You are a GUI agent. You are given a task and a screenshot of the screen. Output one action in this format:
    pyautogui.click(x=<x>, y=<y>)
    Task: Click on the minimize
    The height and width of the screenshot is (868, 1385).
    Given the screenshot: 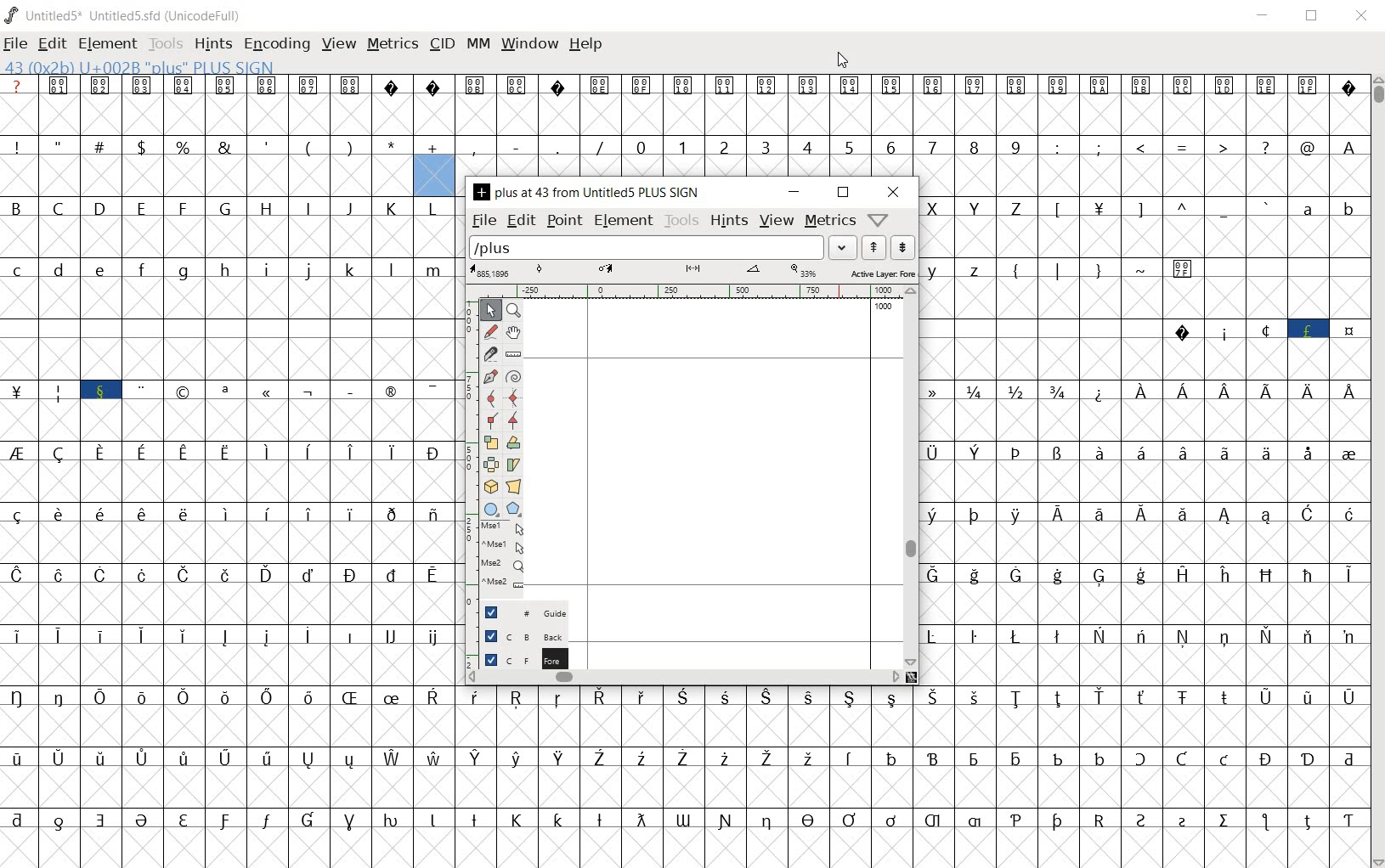 What is the action you would take?
    pyautogui.click(x=795, y=192)
    